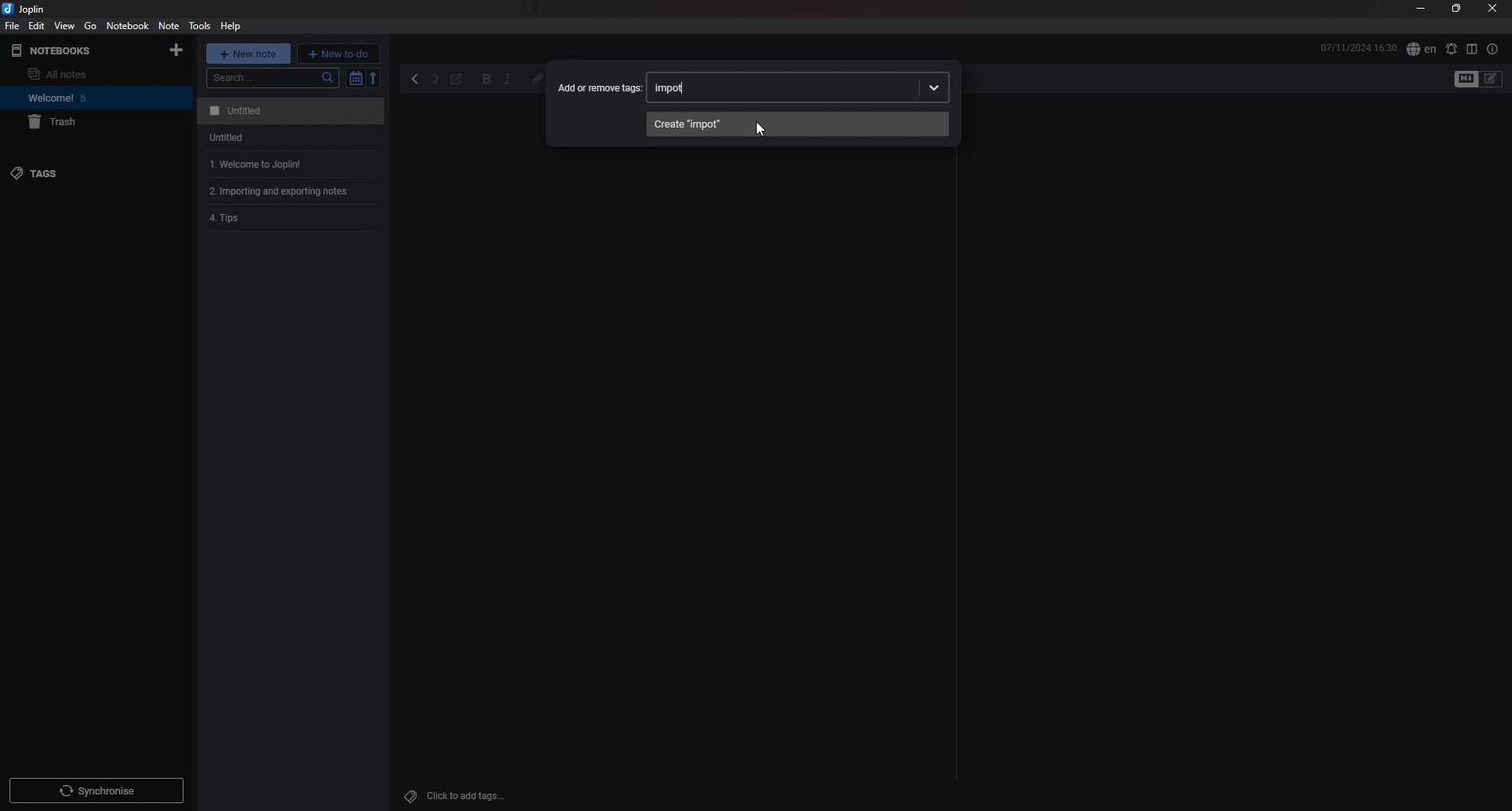  Describe the element at coordinates (76, 74) in the screenshot. I see `all notes` at that location.